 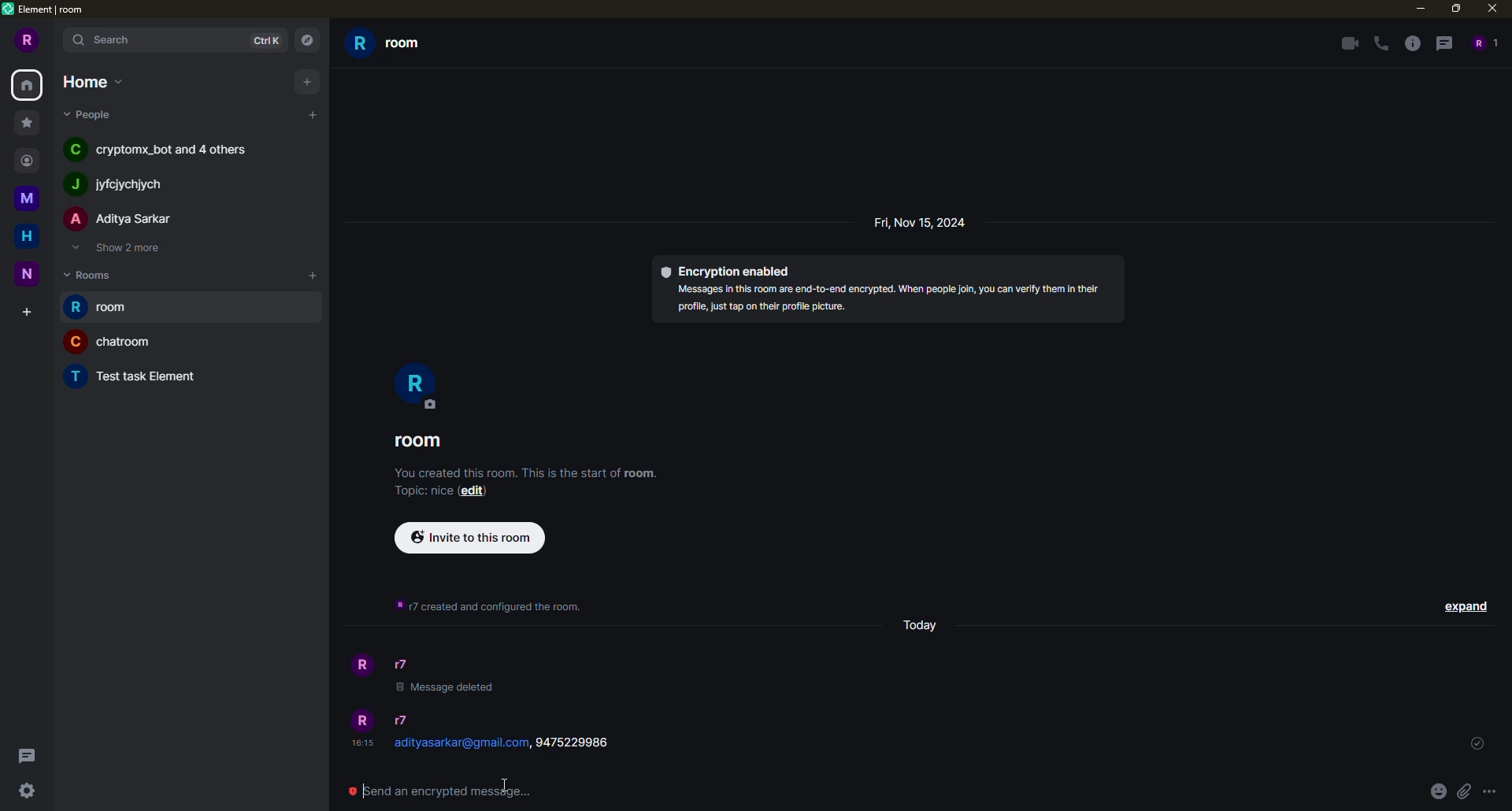 I want to click on threads, so click(x=27, y=754).